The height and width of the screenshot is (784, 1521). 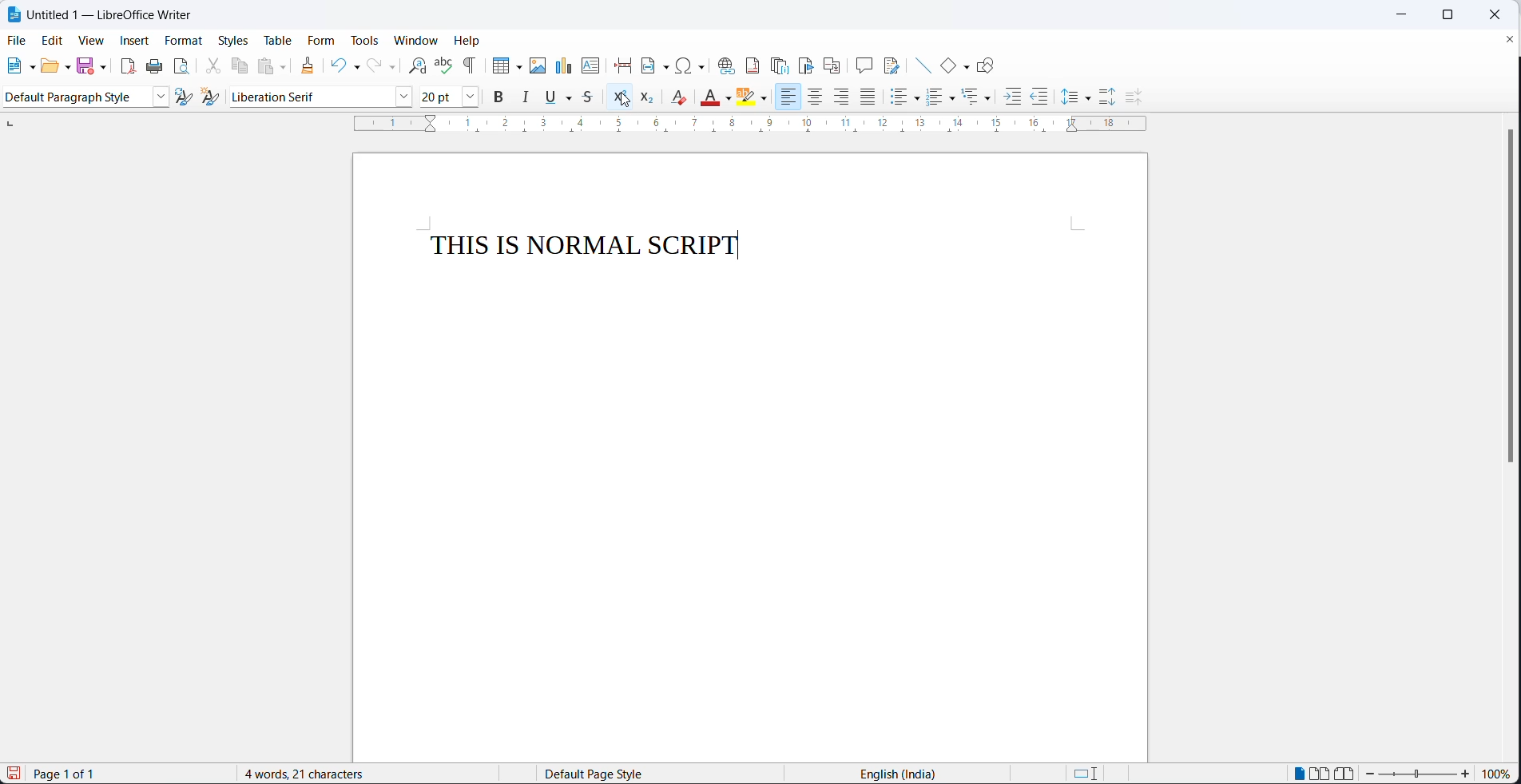 I want to click on copy , so click(x=240, y=65).